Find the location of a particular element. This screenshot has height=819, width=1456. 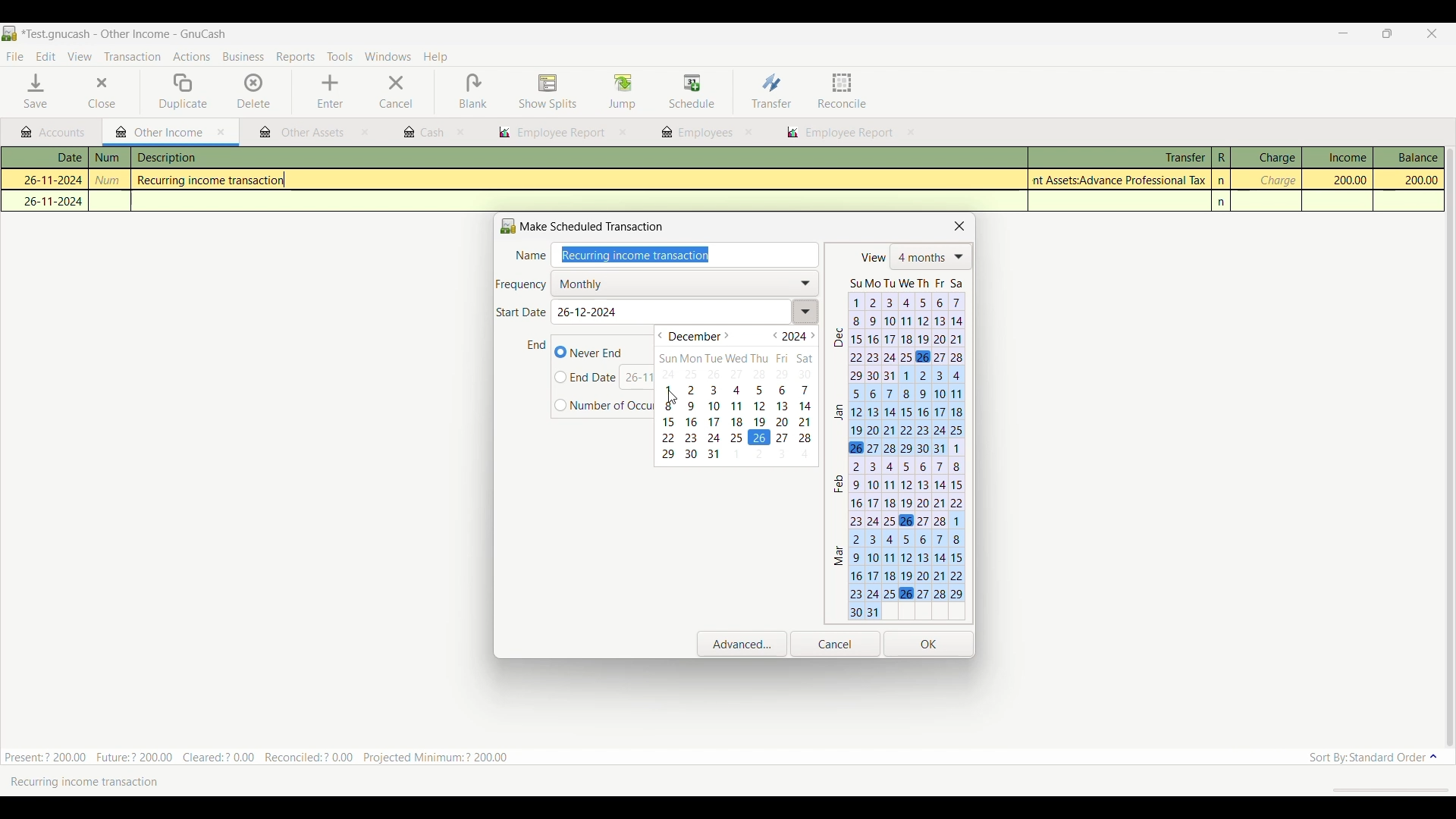

Recurring income transaction is located at coordinates (95, 782).